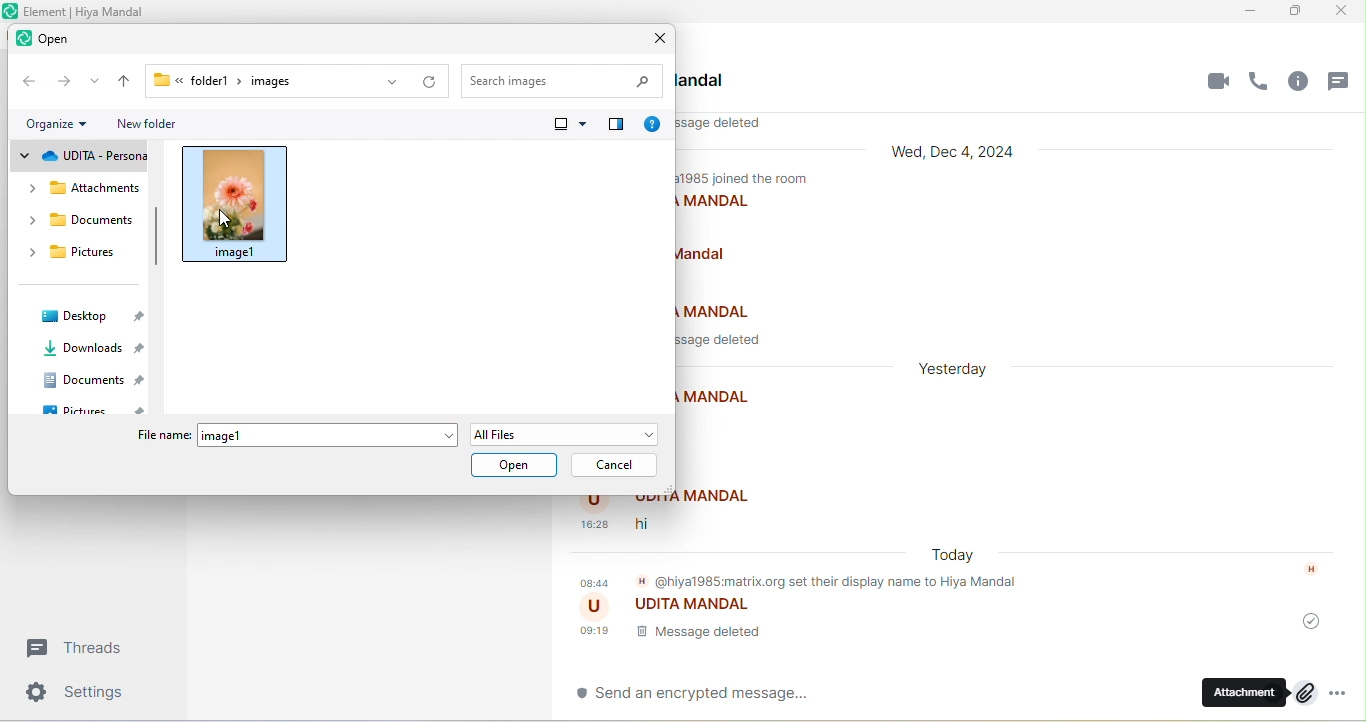 The width and height of the screenshot is (1366, 722). I want to click on @hiya1985matrix.org set their display name to hiya mandal, so click(805, 584).